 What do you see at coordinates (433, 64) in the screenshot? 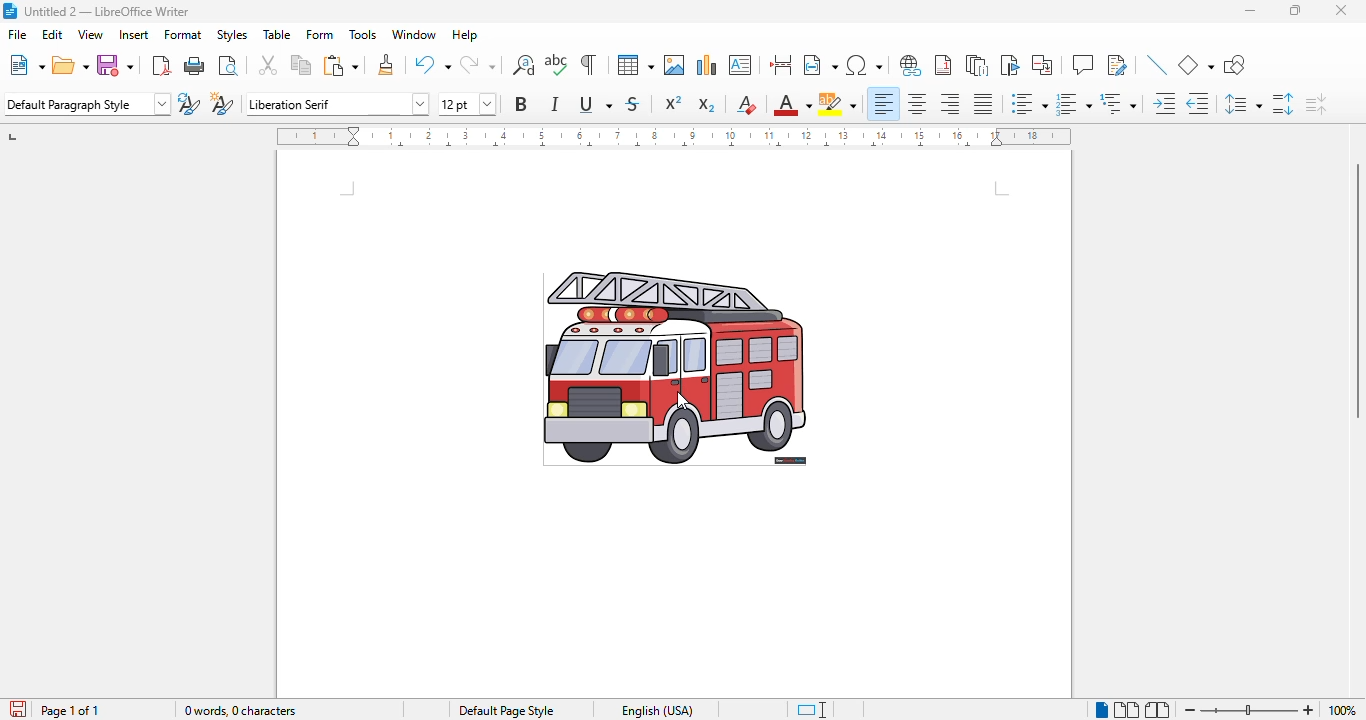
I see `undo` at bounding box center [433, 64].